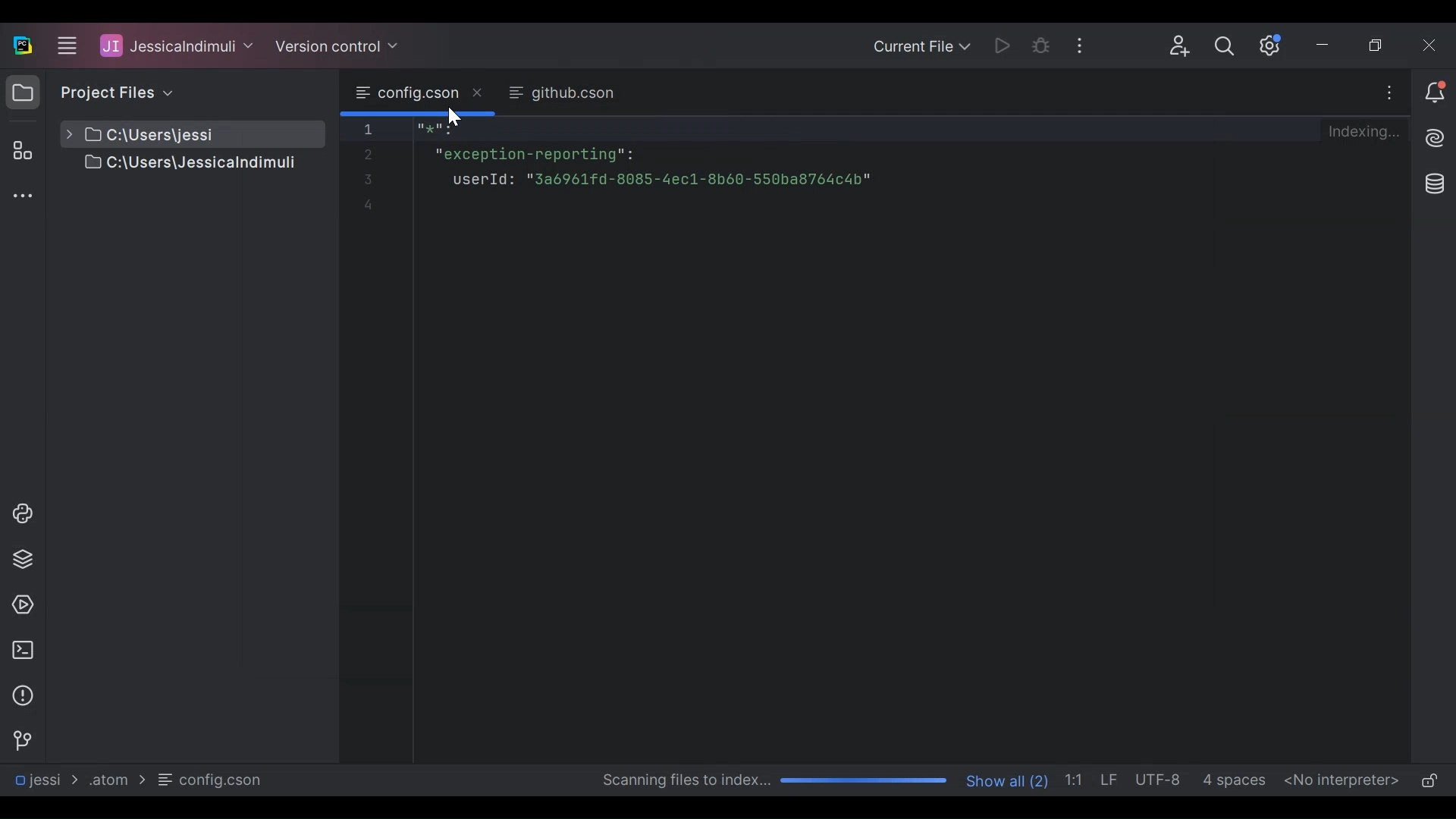 The image size is (1456, 819). I want to click on Cursor, so click(454, 121).